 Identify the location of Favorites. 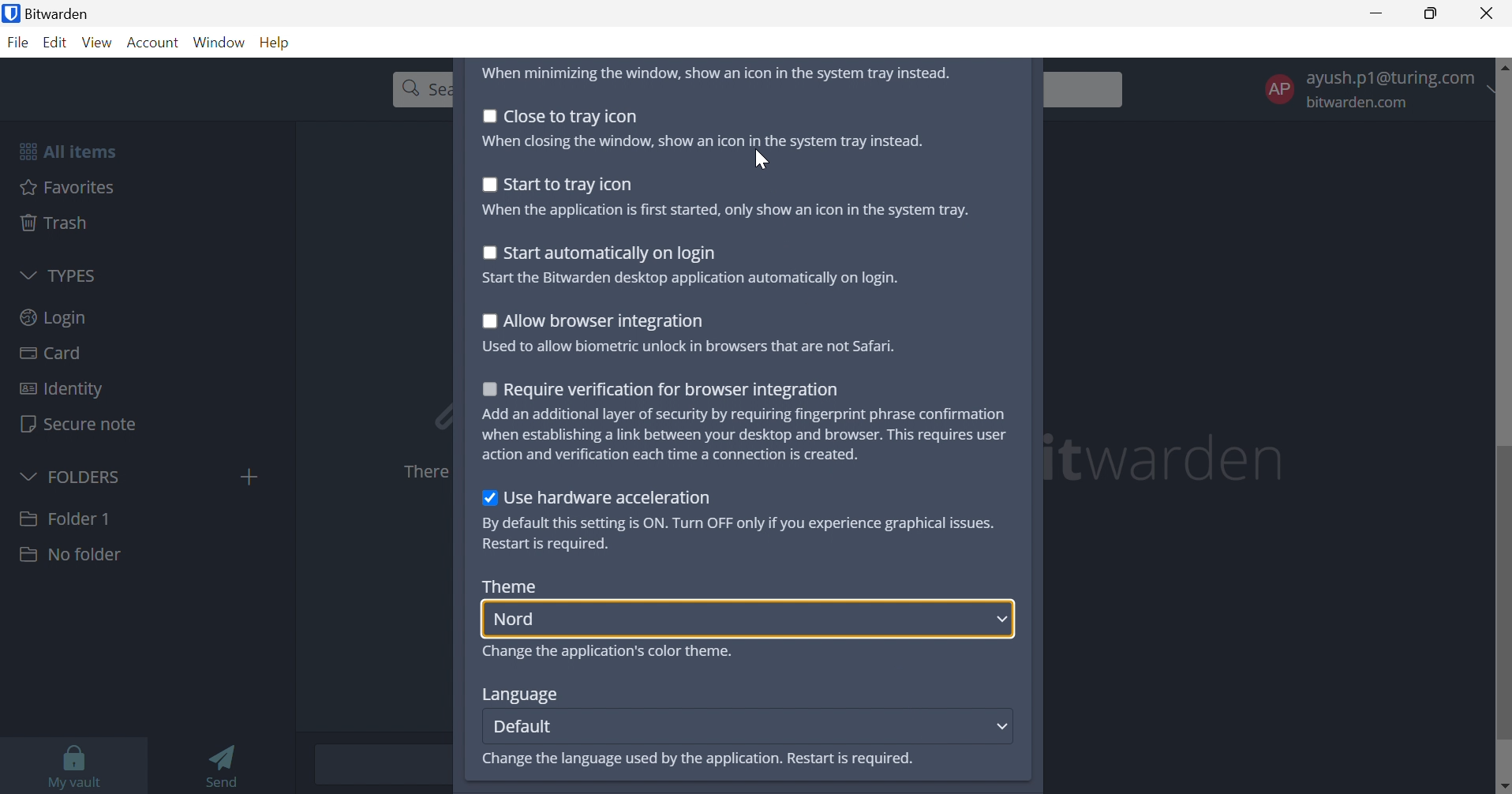
(68, 186).